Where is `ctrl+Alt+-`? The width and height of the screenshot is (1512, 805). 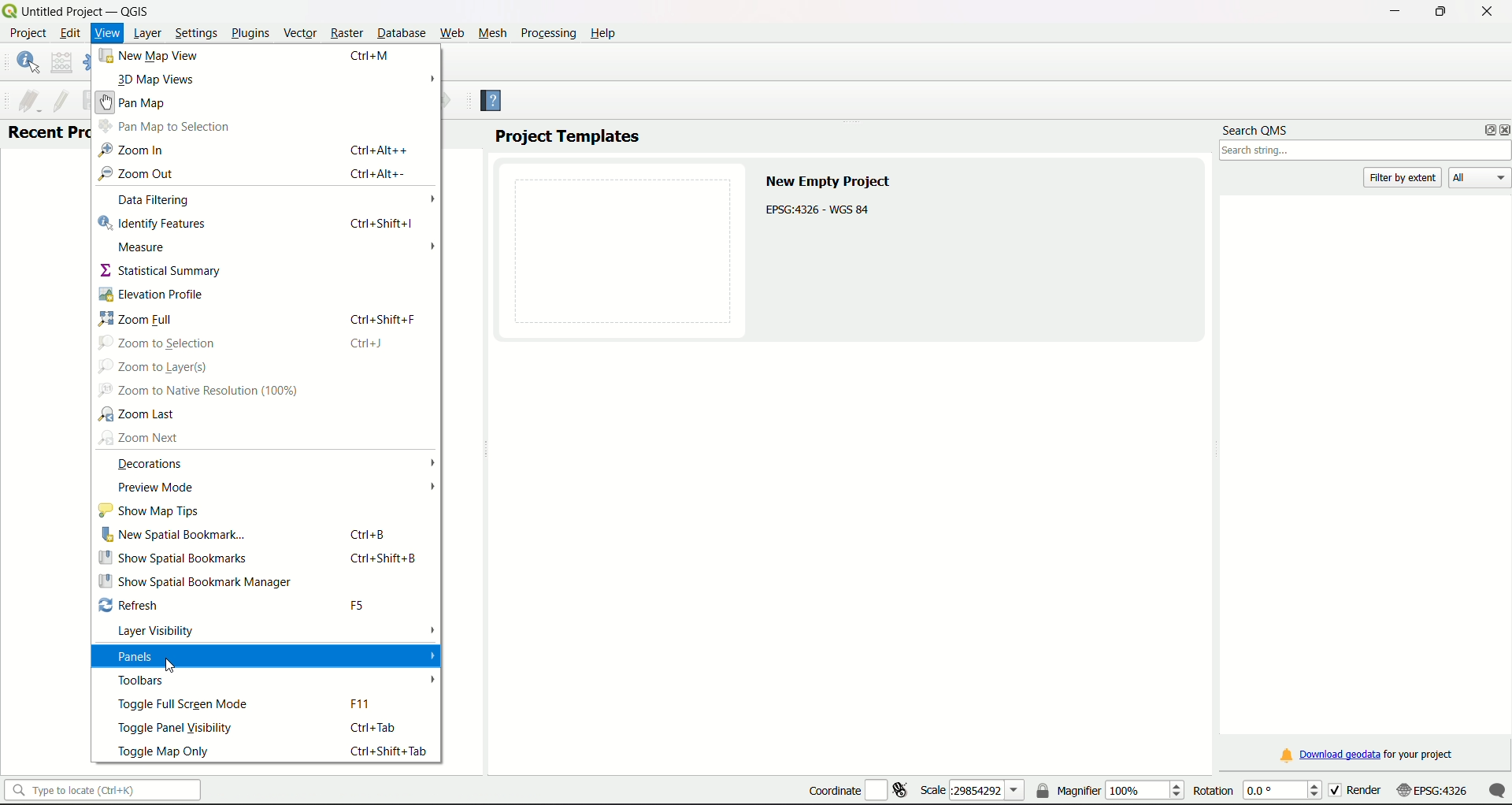 ctrl+Alt+- is located at coordinates (379, 173).